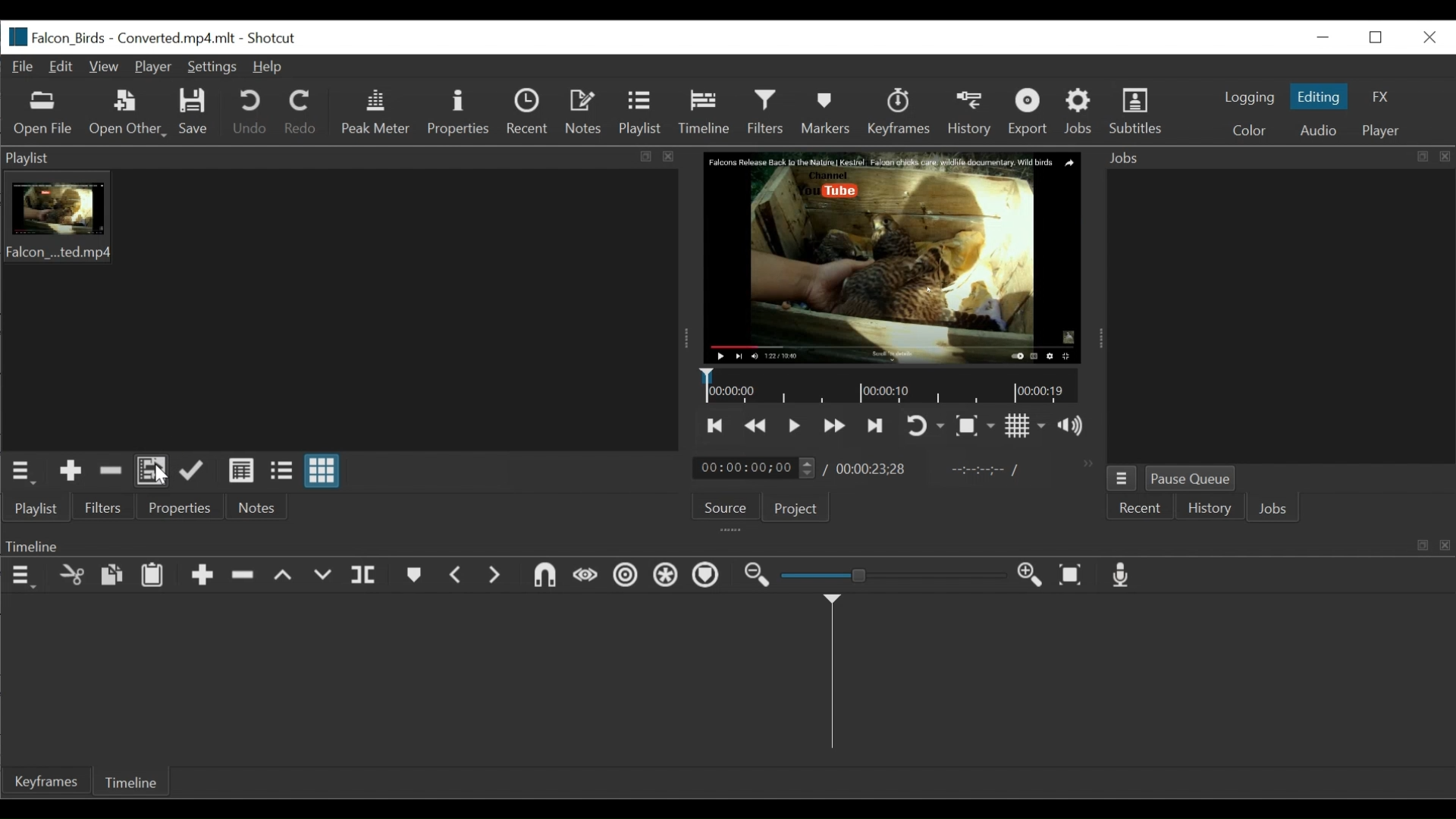  What do you see at coordinates (836, 425) in the screenshot?
I see `Play quickly forward` at bounding box center [836, 425].